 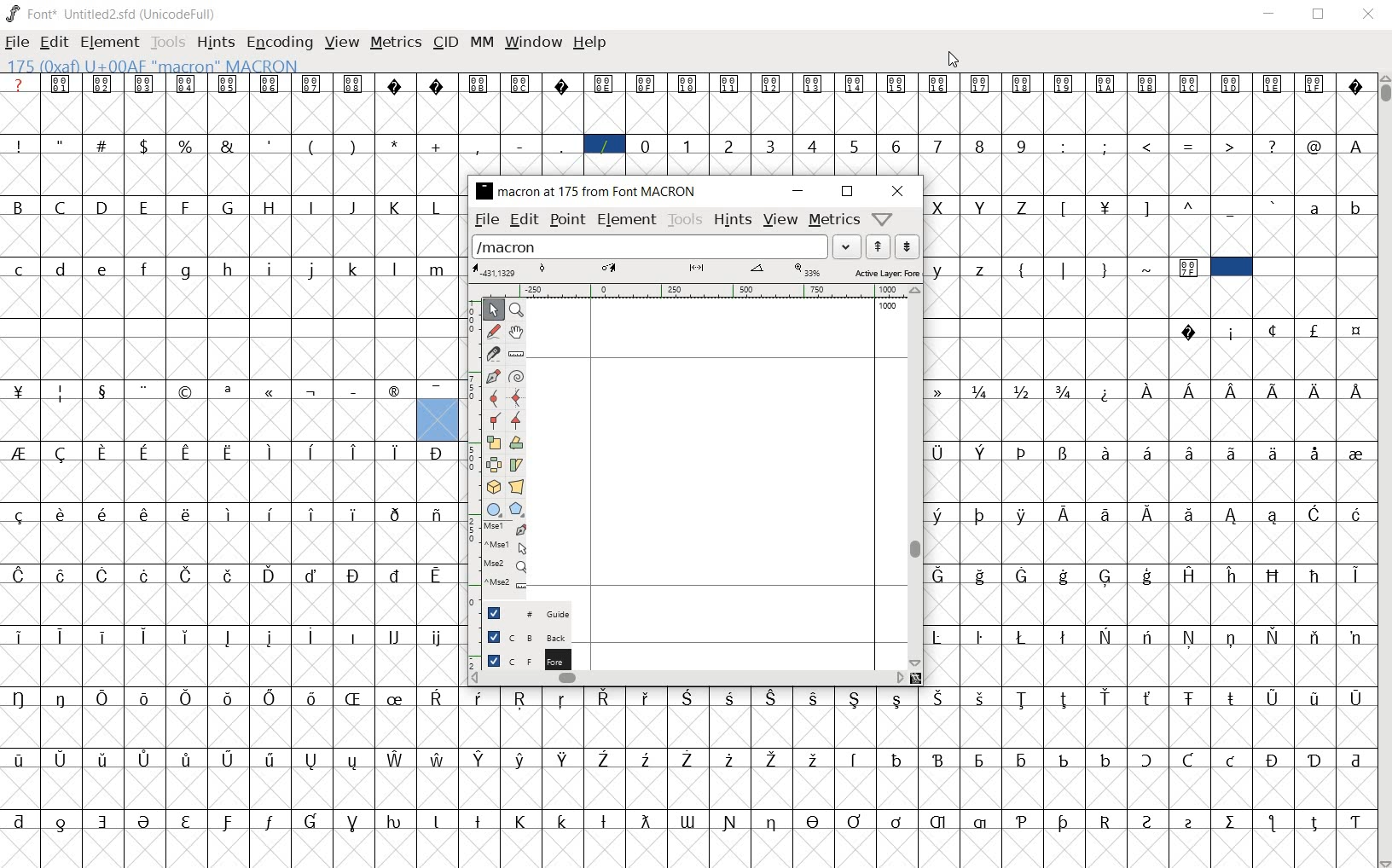 I want to click on y, so click(x=940, y=269).